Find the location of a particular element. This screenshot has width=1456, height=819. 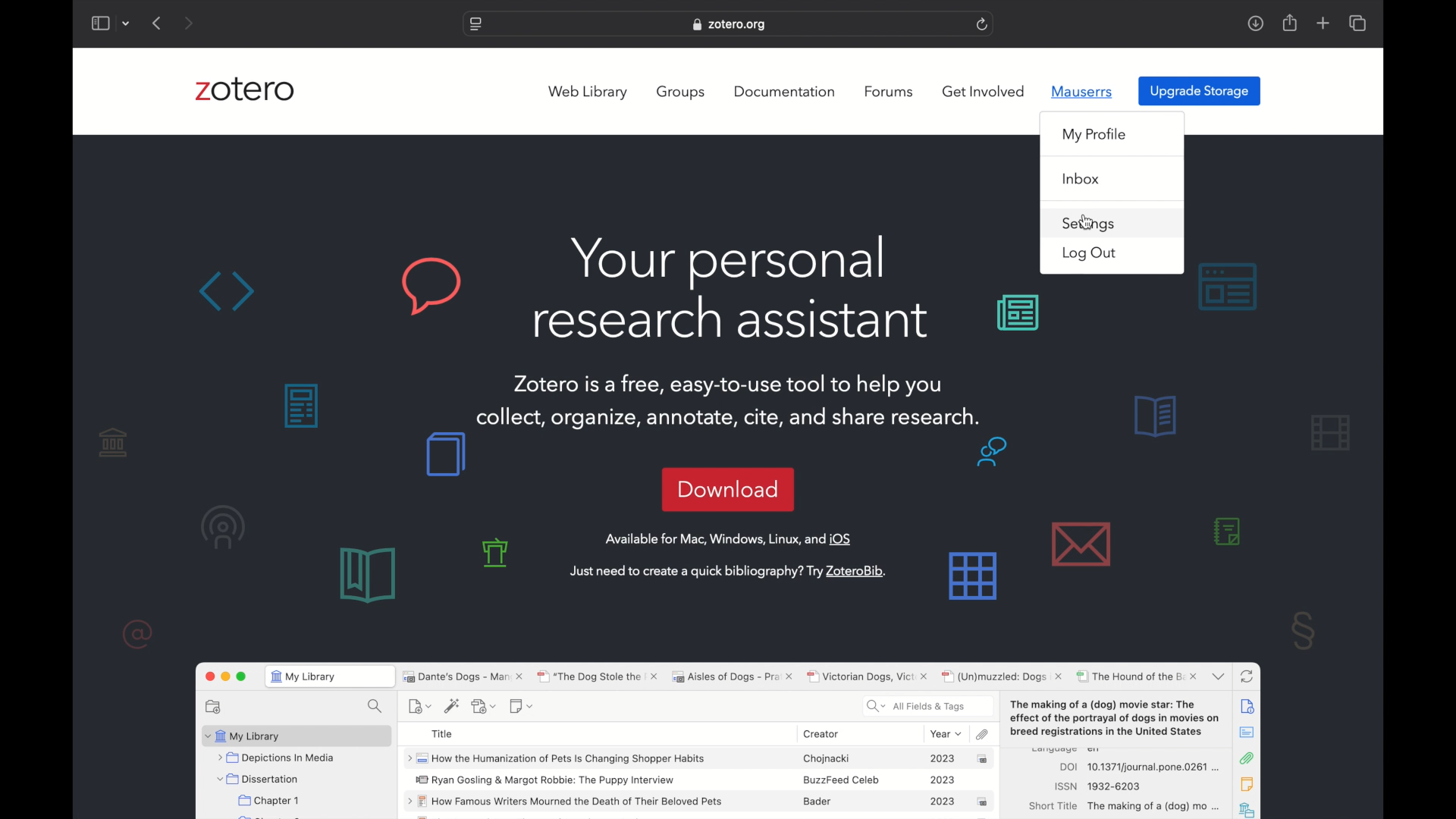

add is located at coordinates (1324, 23).